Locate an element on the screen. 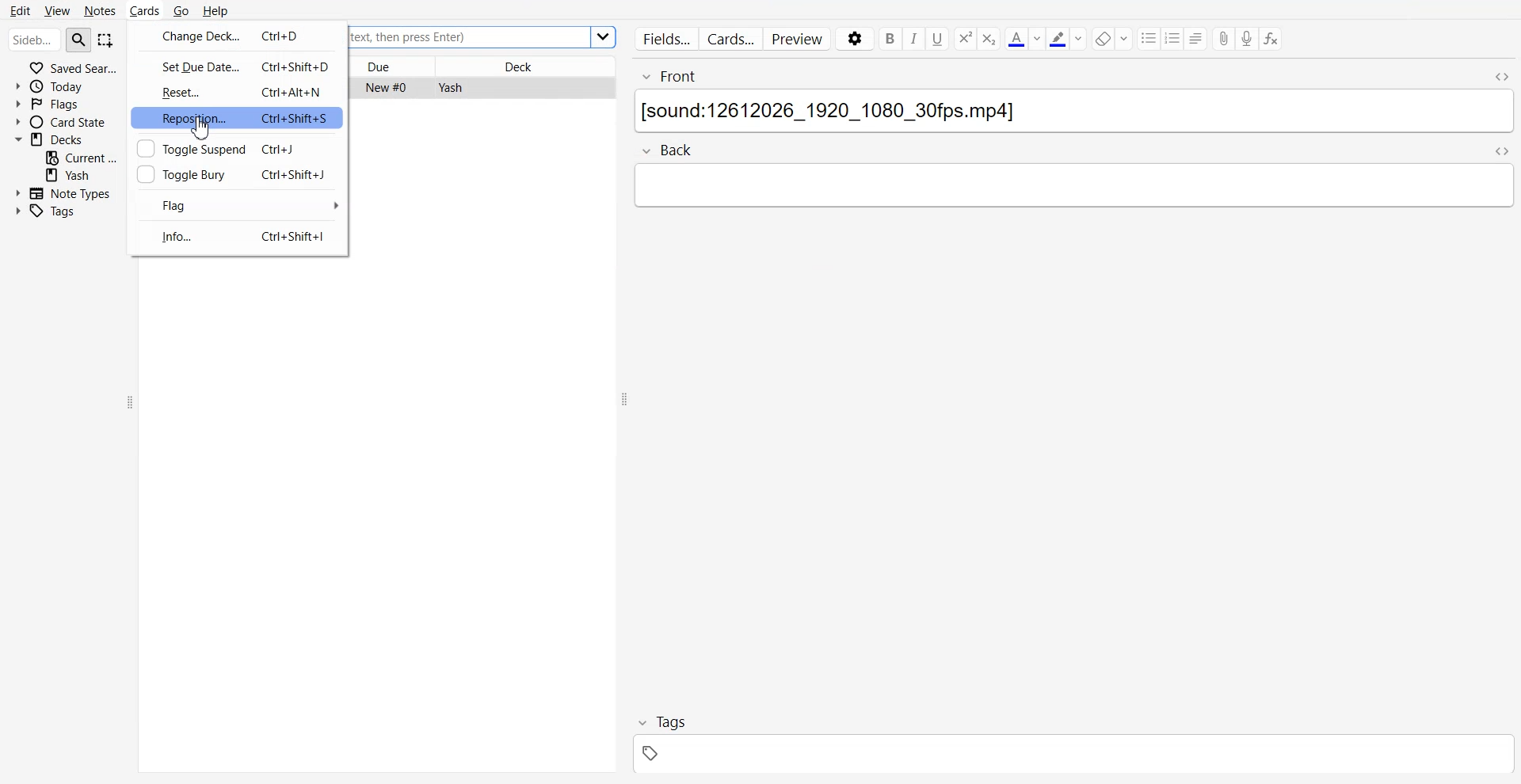 This screenshot has height=784, width=1521. Toggle Suspend is located at coordinates (186, 147).